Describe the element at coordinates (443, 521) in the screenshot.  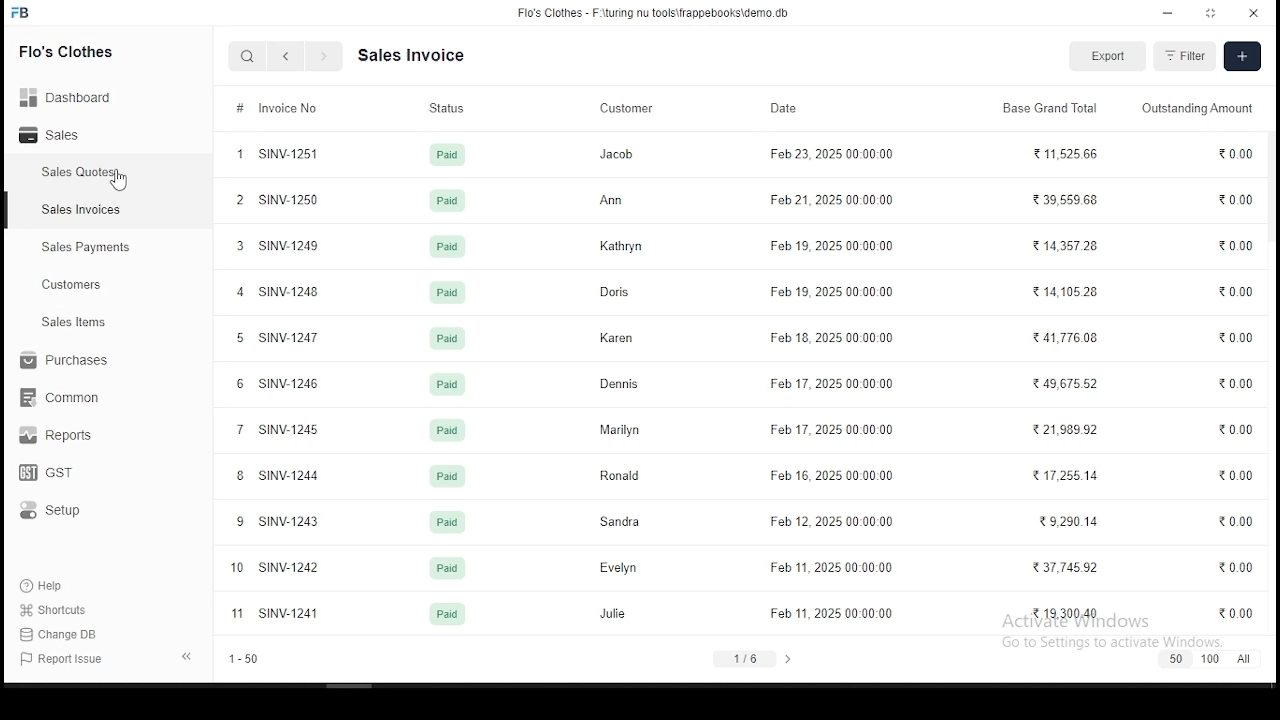
I see `paid` at that location.